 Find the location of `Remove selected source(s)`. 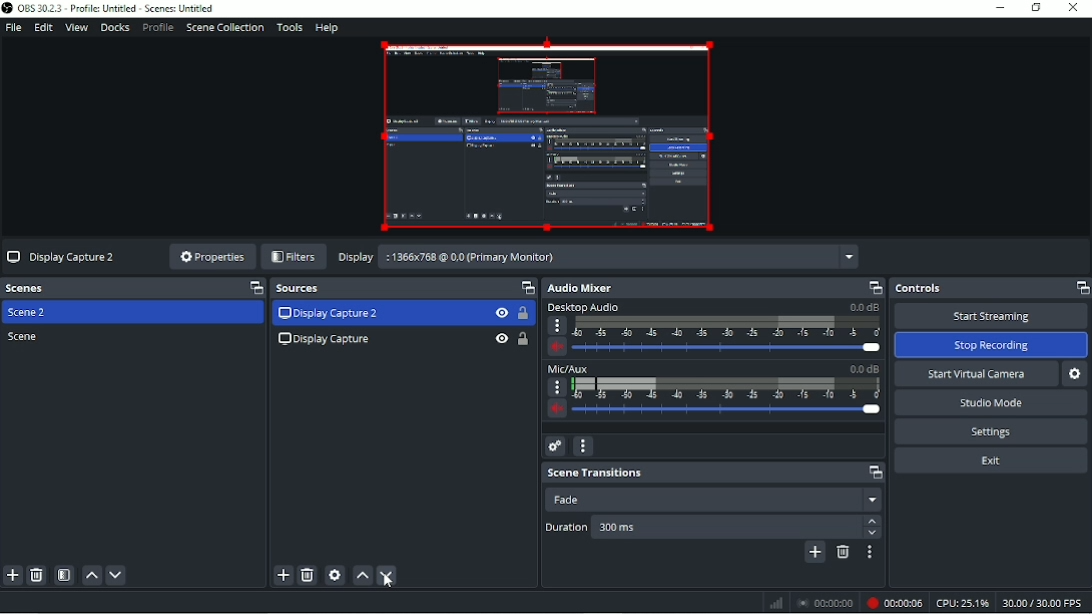

Remove selected source(s) is located at coordinates (307, 575).